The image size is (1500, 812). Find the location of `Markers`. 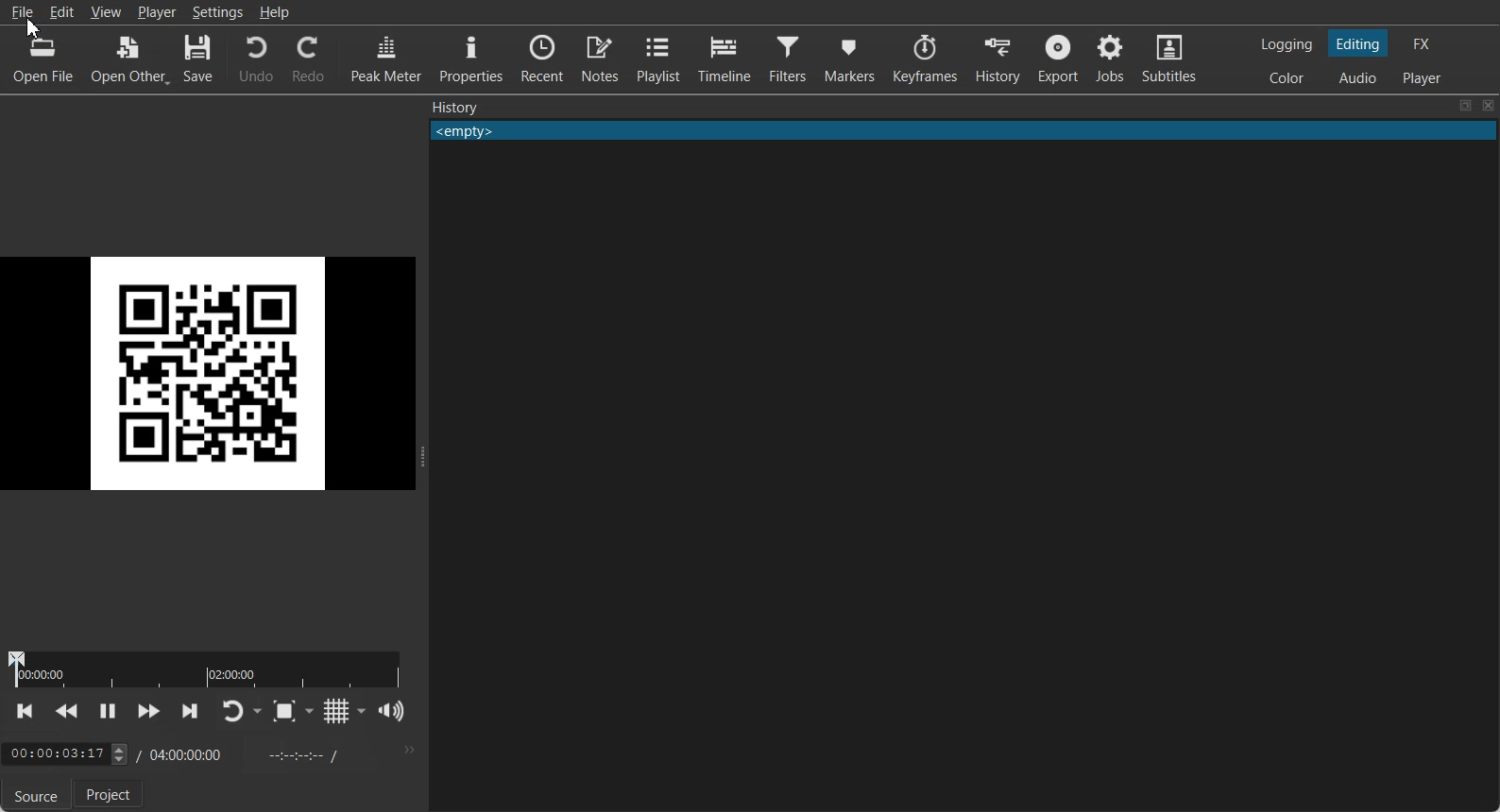

Markers is located at coordinates (850, 58).